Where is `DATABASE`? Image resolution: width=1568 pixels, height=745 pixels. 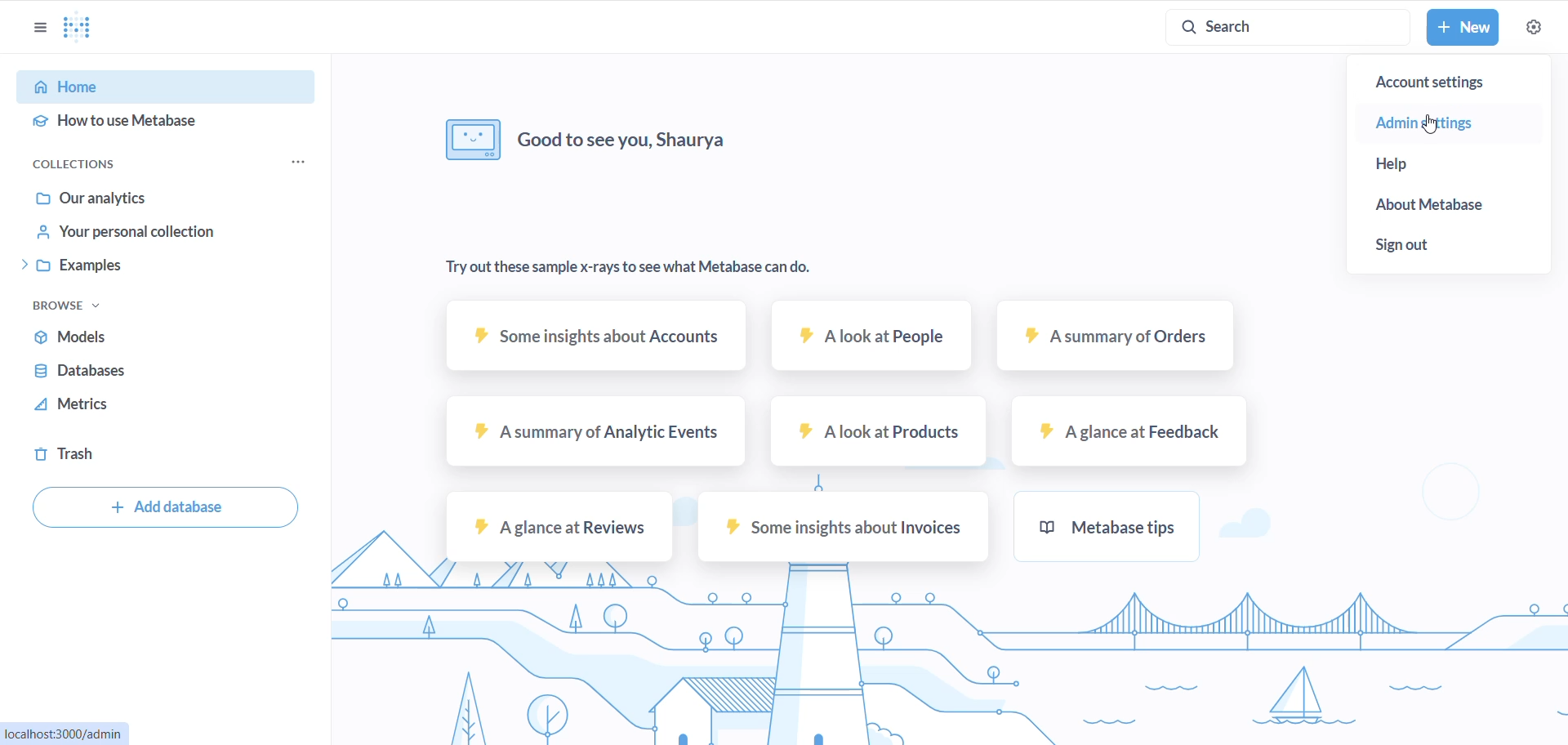
DATABASE is located at coordinates (173, 372).